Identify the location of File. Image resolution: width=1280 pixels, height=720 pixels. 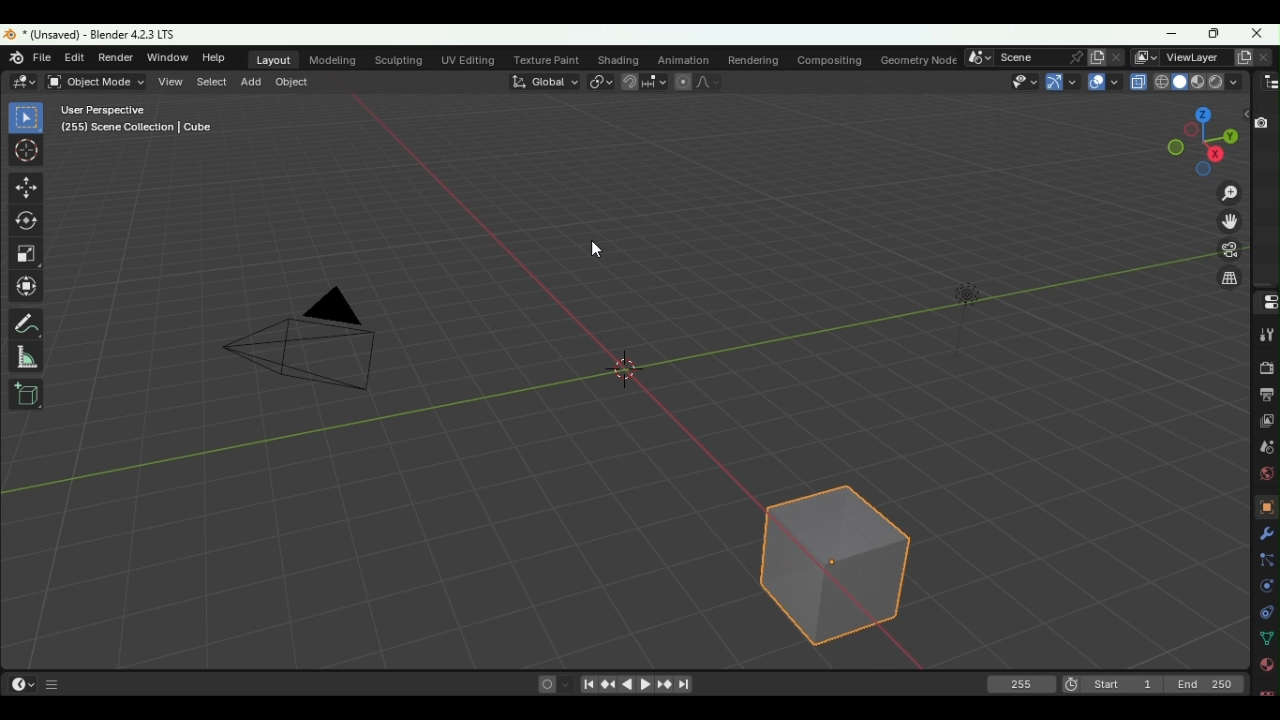
(44, 58).